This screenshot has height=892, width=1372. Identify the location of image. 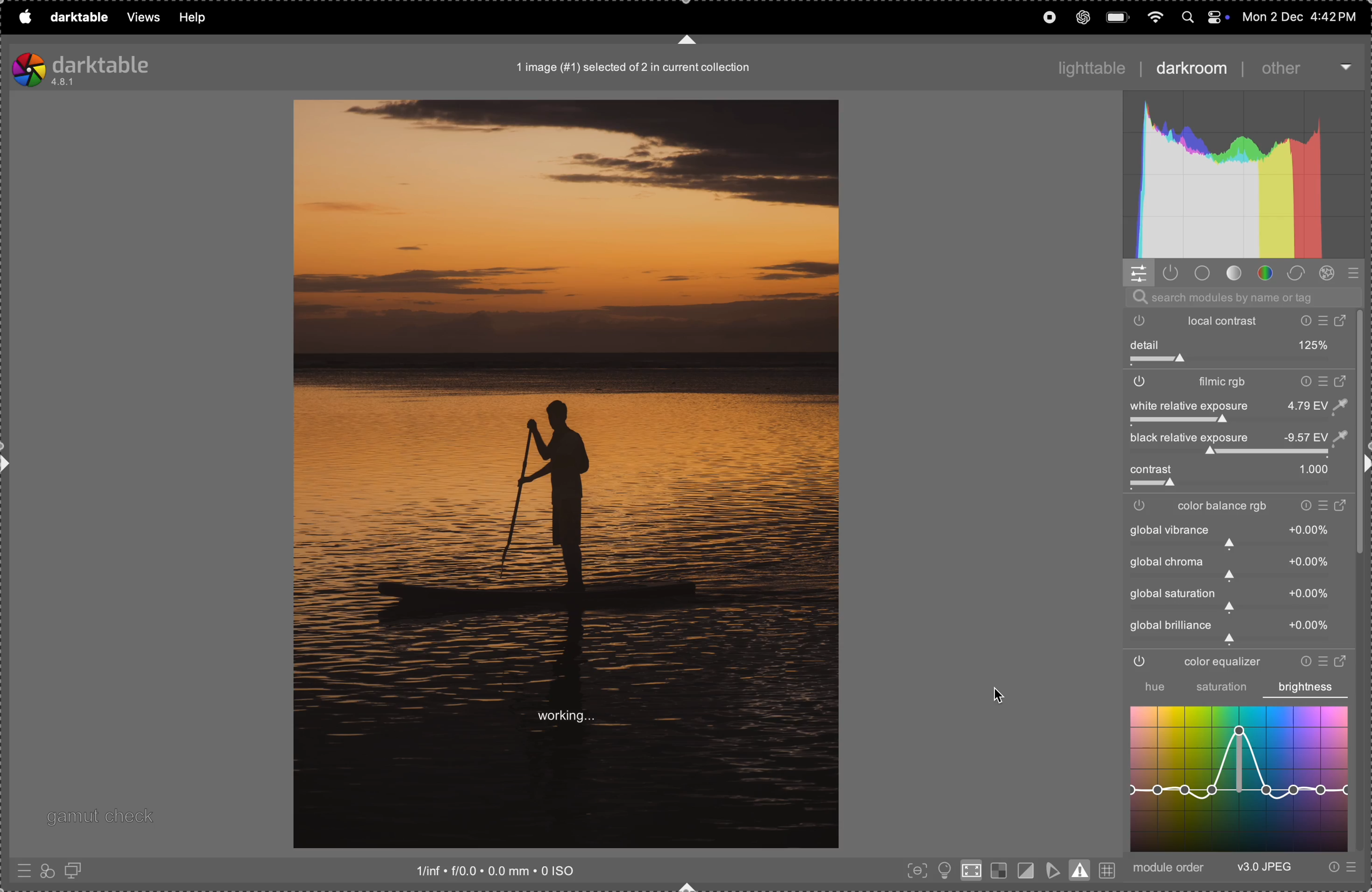
(566, 474).